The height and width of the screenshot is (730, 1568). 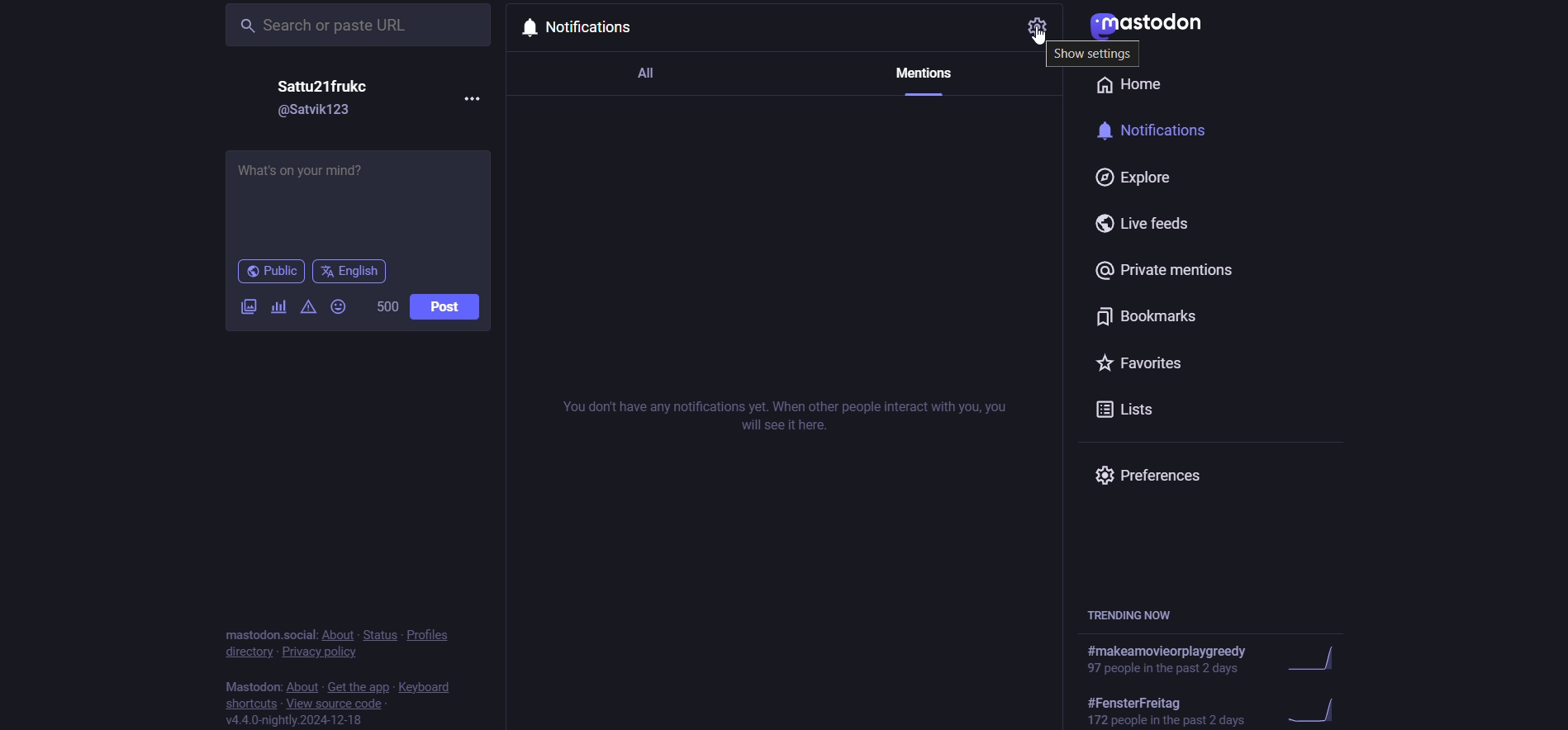 I want to click on All, so click(x=646, y=72).